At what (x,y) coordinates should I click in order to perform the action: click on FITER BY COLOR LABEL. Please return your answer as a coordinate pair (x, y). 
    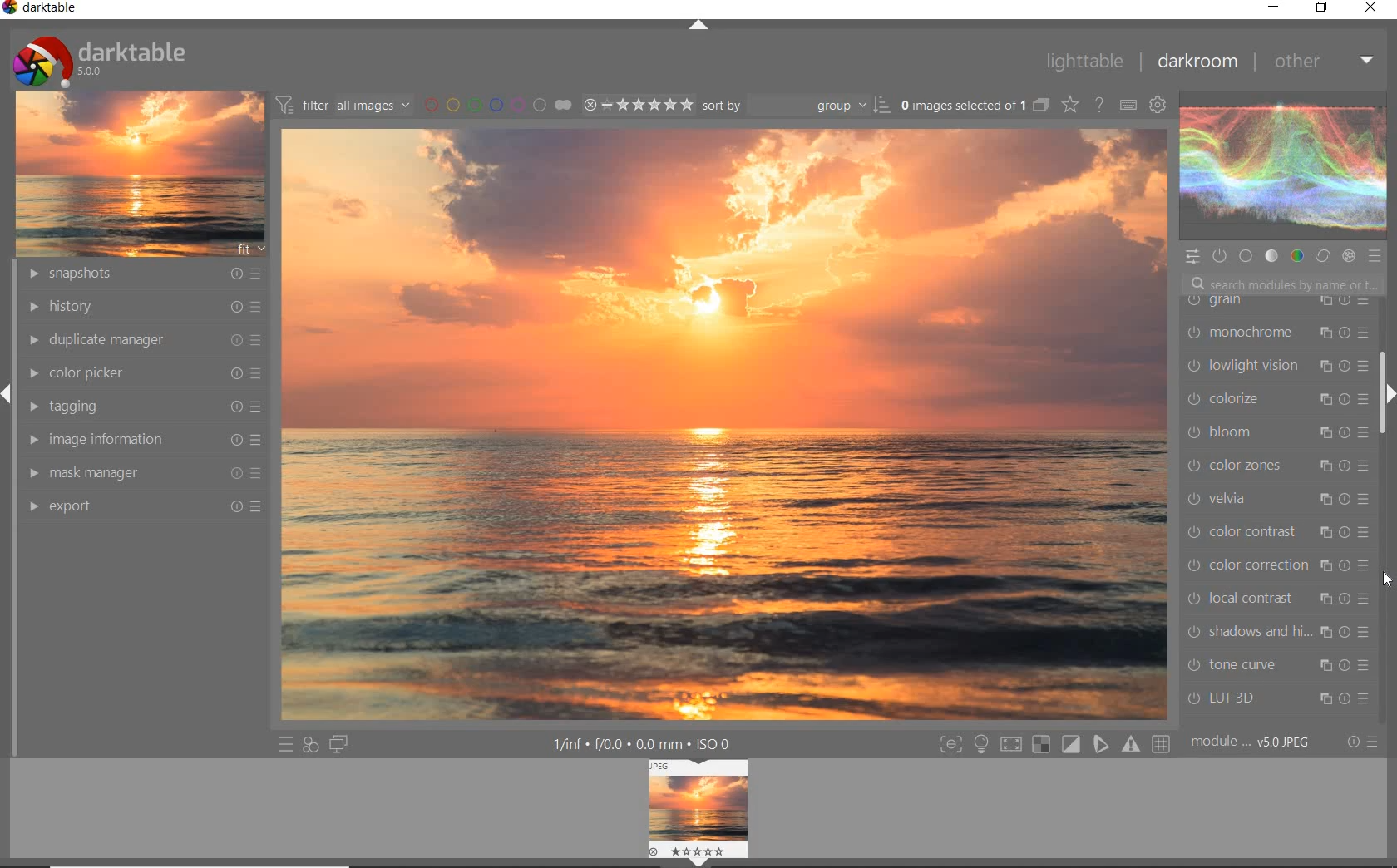
    Looking at the image, I should click on (496, 104).